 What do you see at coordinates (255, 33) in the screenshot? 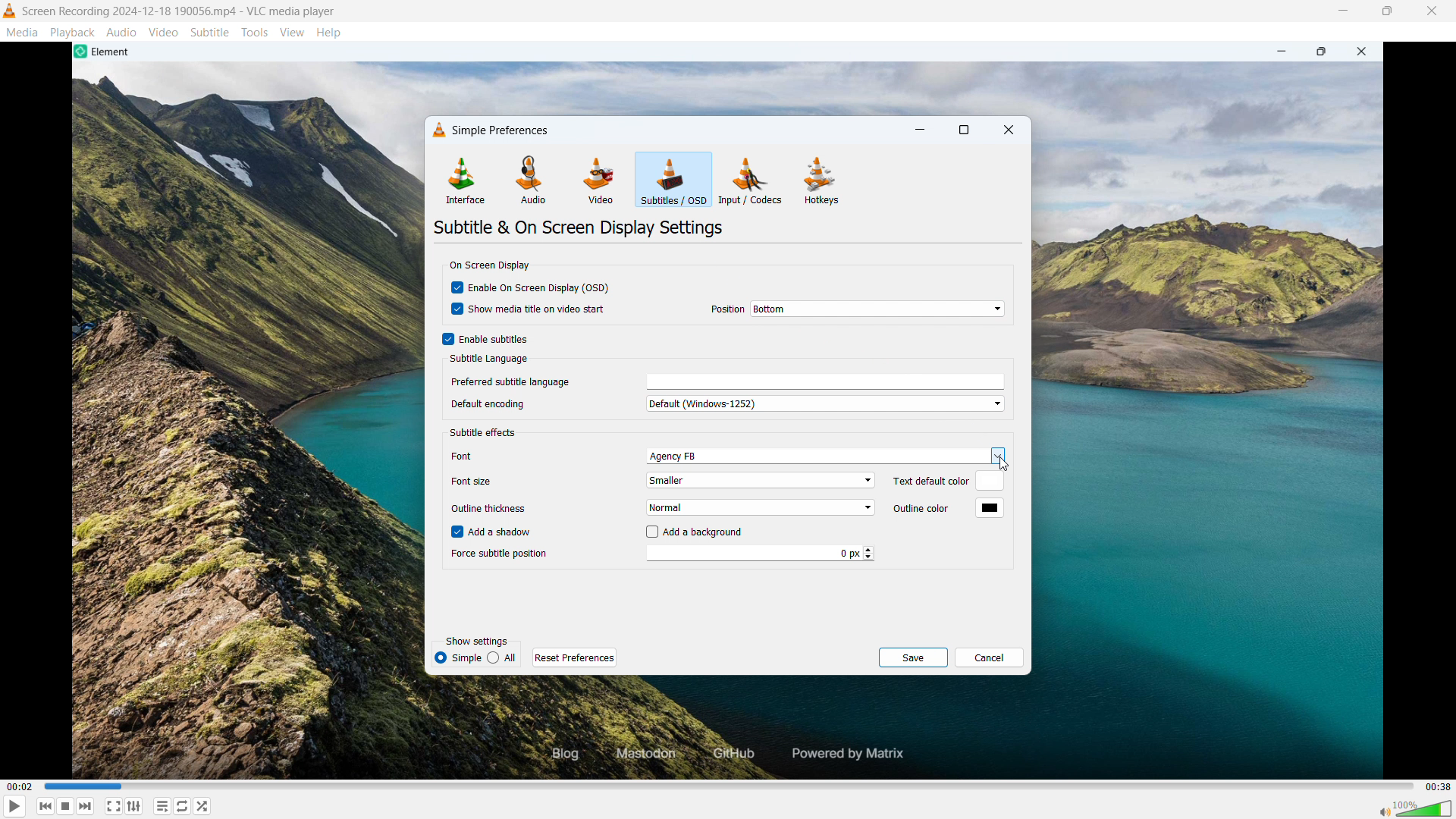
I see `tools` at bounding box center [255, 33].